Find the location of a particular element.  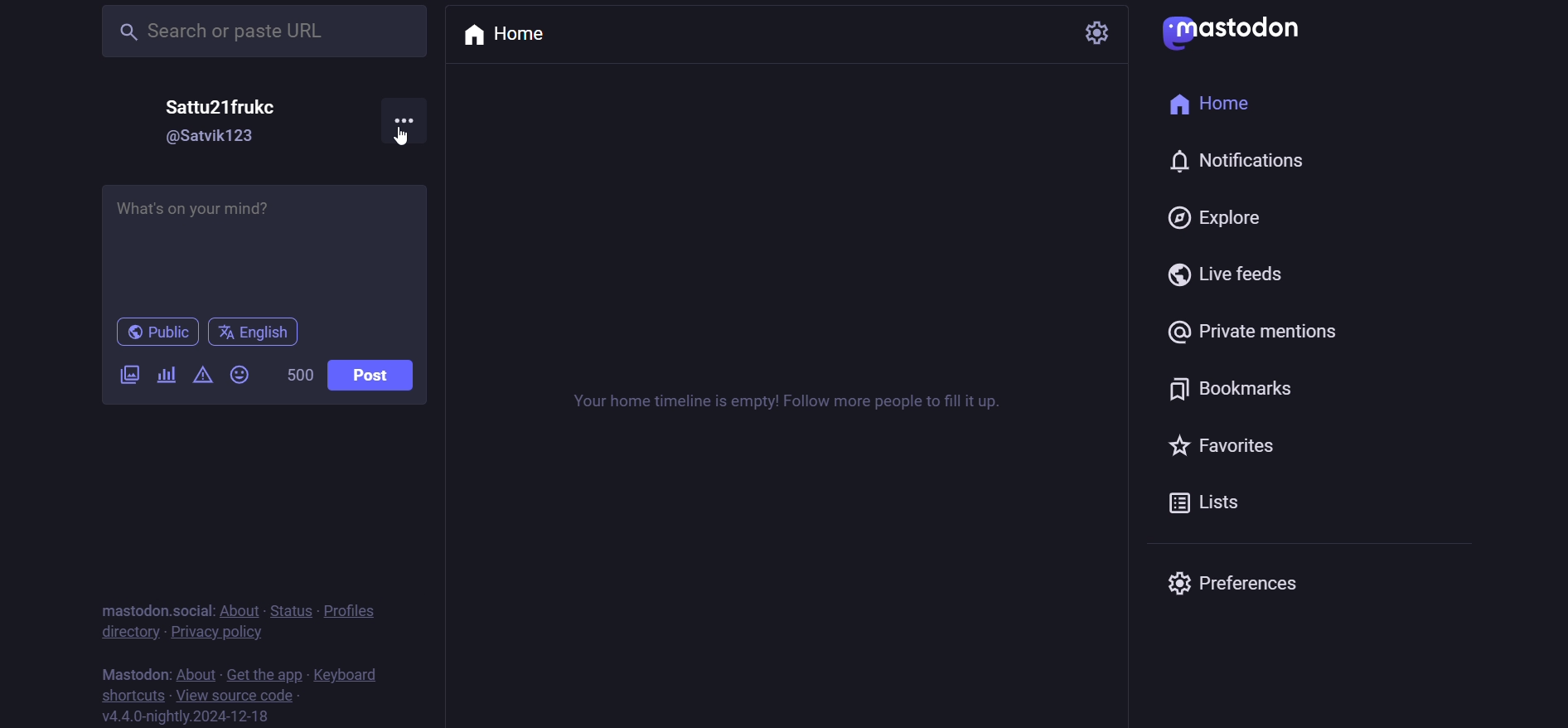

list is located at coordinates (1209, 500).